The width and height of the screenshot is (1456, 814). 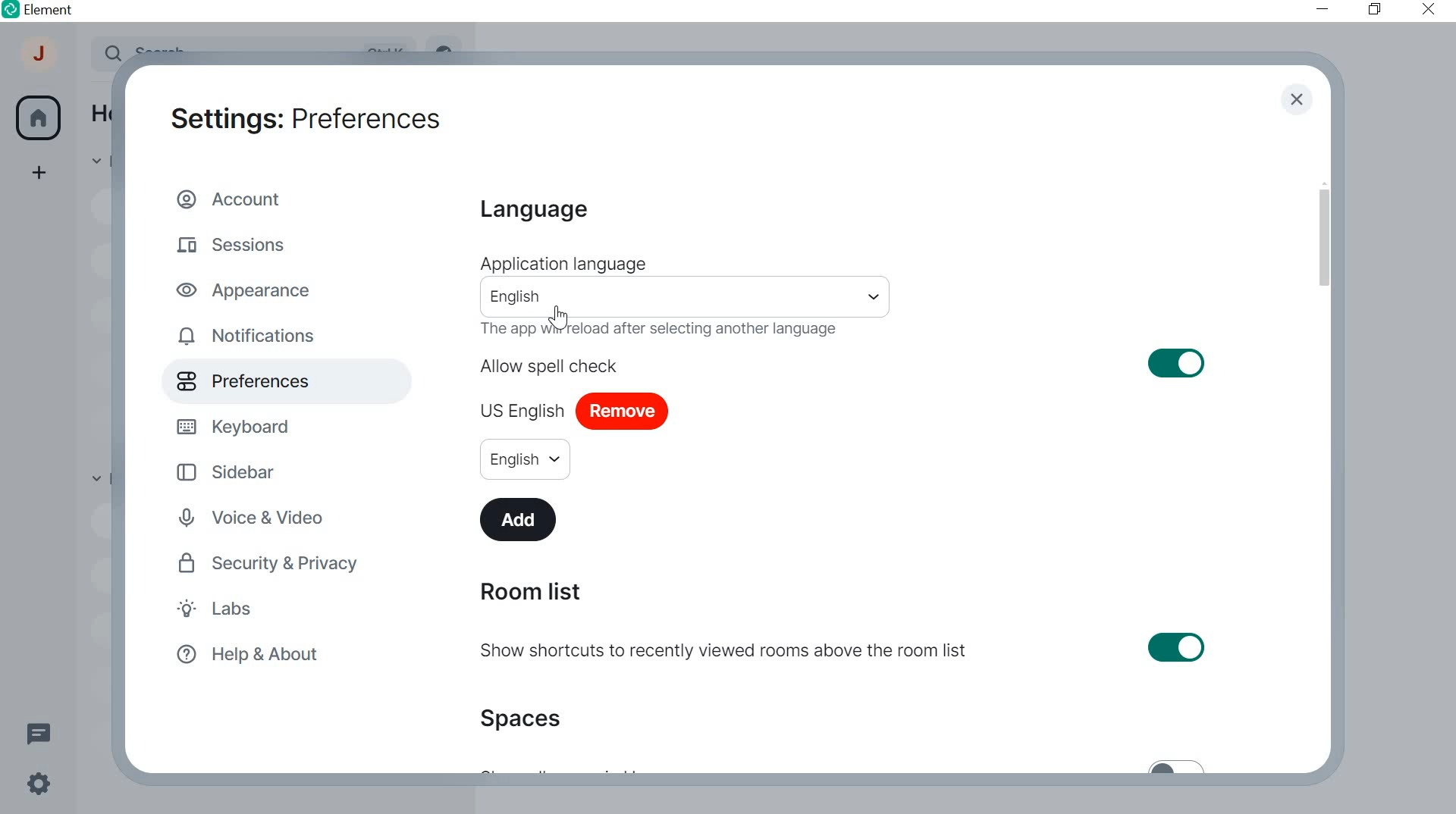 I want to click on ACCOUNT, so click(x=234, y=198).